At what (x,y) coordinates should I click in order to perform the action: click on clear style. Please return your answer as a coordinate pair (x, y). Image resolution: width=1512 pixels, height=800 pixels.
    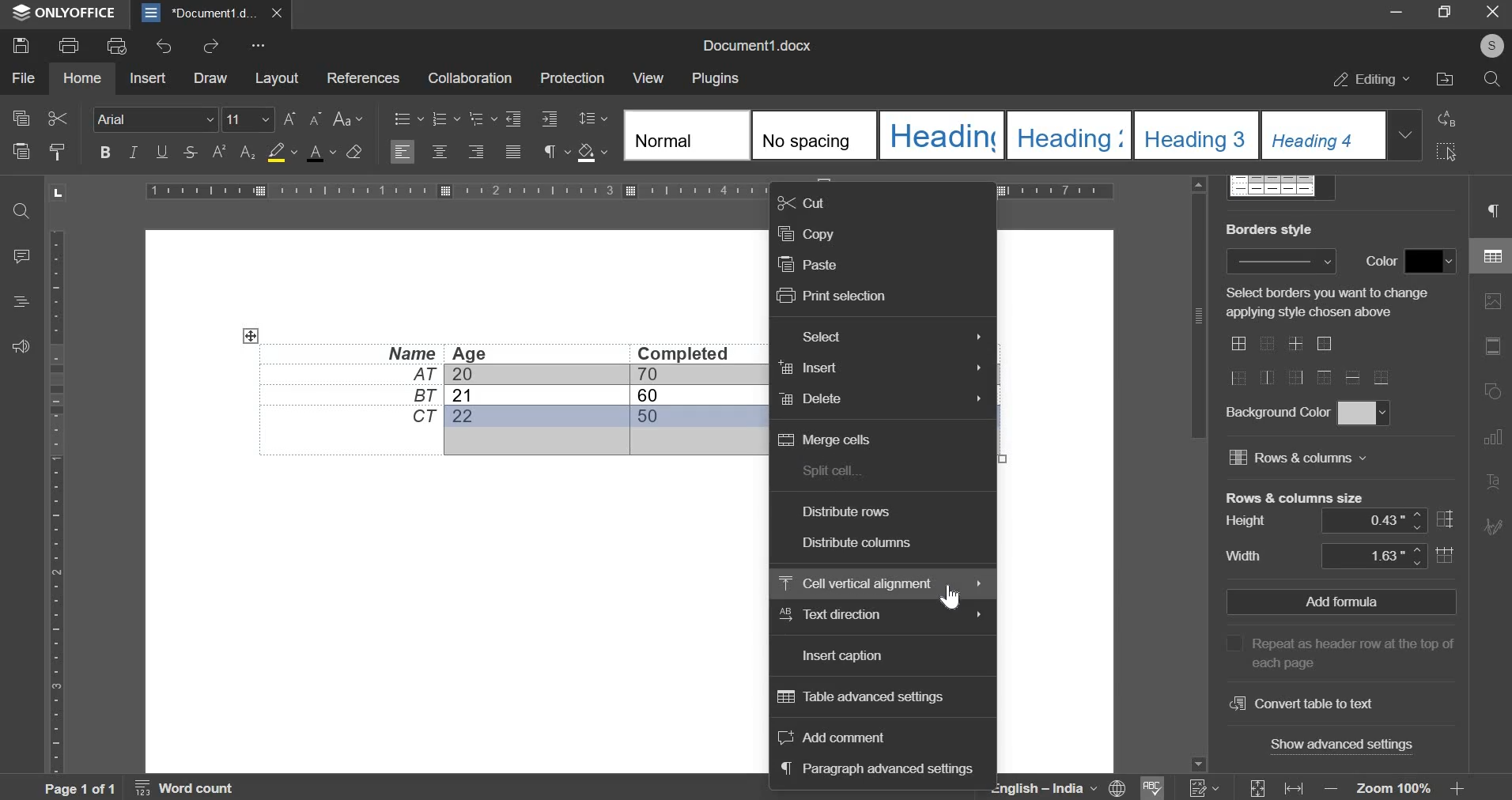
    Looking at the image, I should click on (354, 150).